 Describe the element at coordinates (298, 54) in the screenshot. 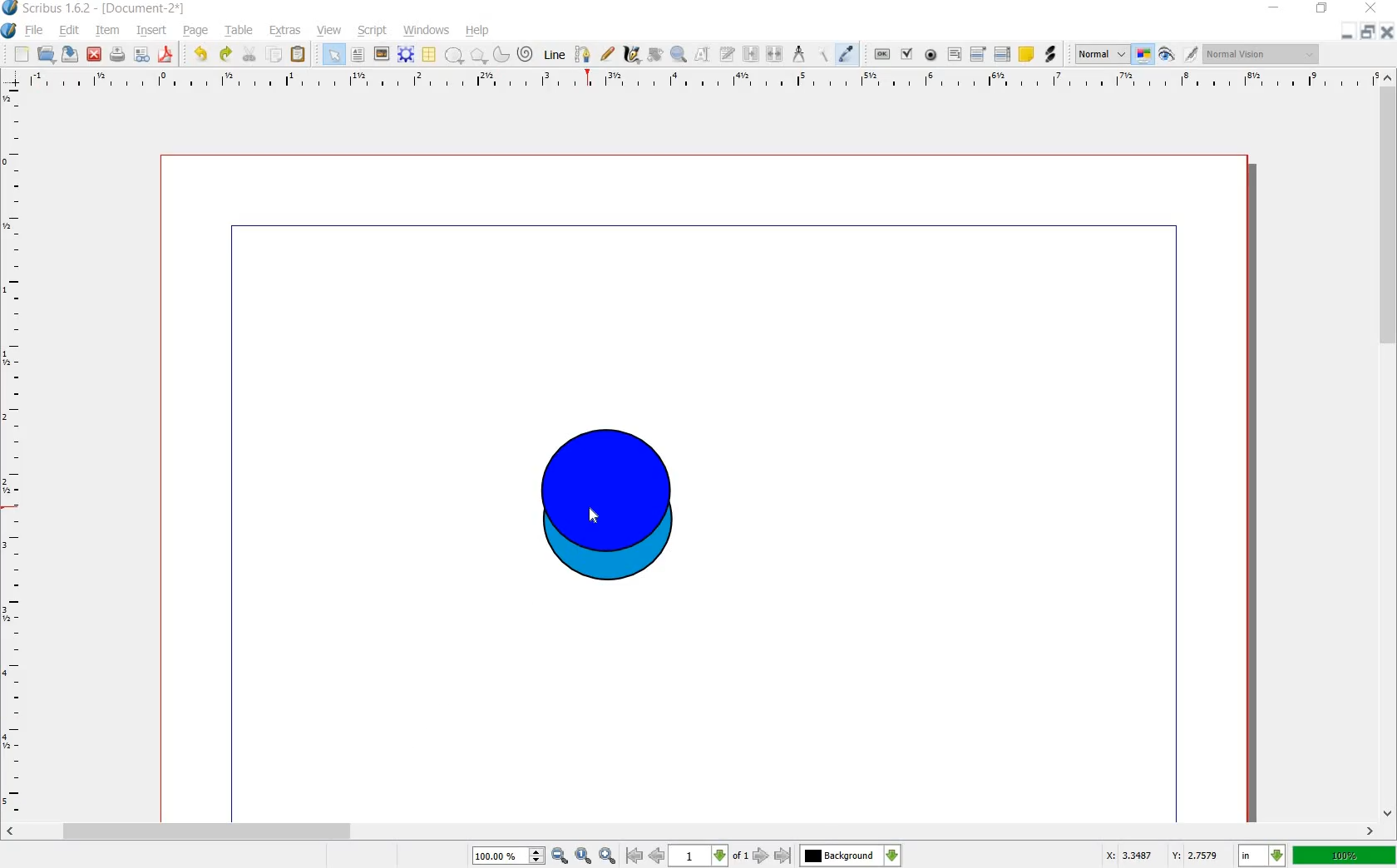

I see `paste` at that location.